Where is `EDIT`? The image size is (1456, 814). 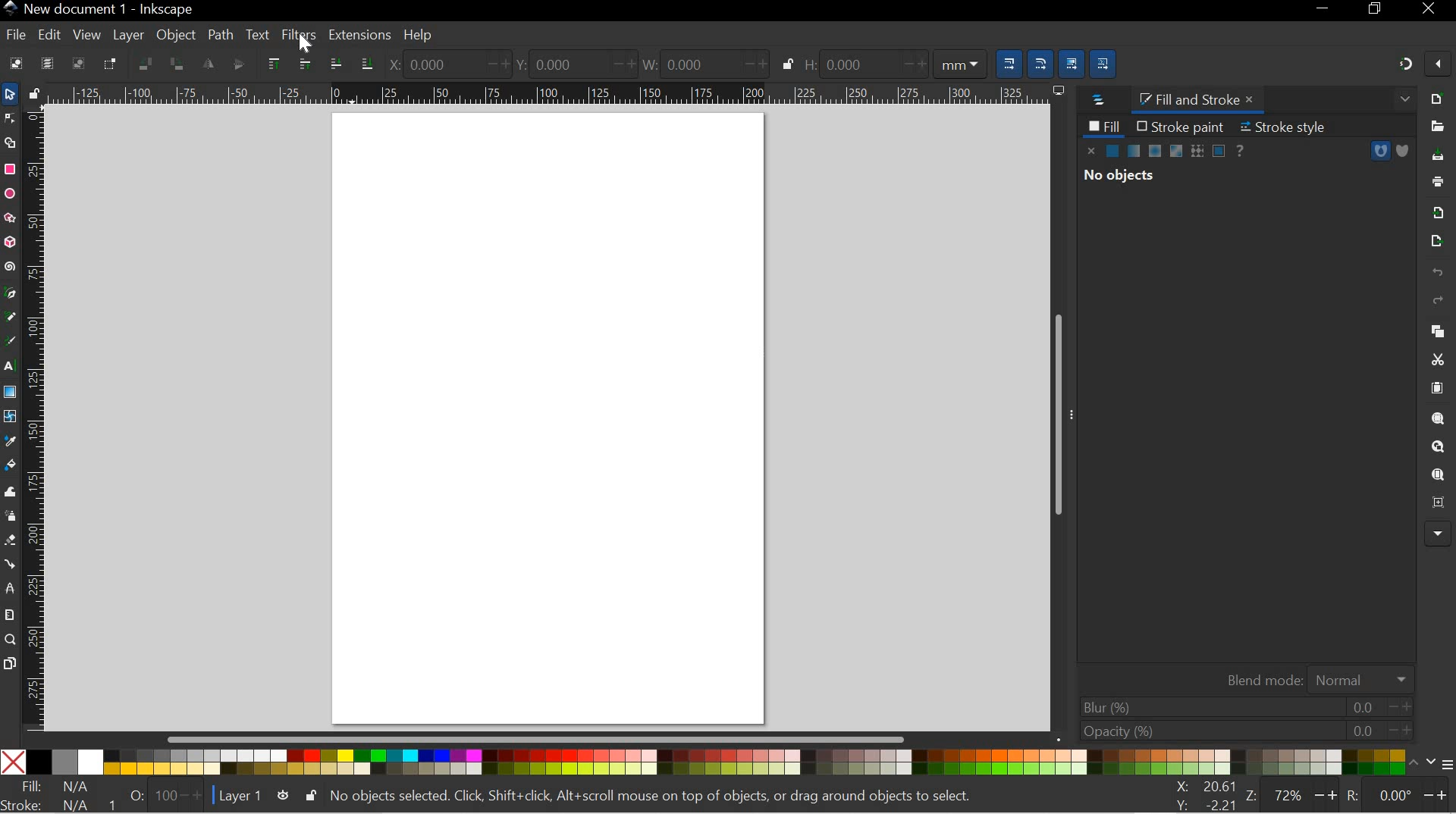
EDIT is located at coordinates (49, 34).